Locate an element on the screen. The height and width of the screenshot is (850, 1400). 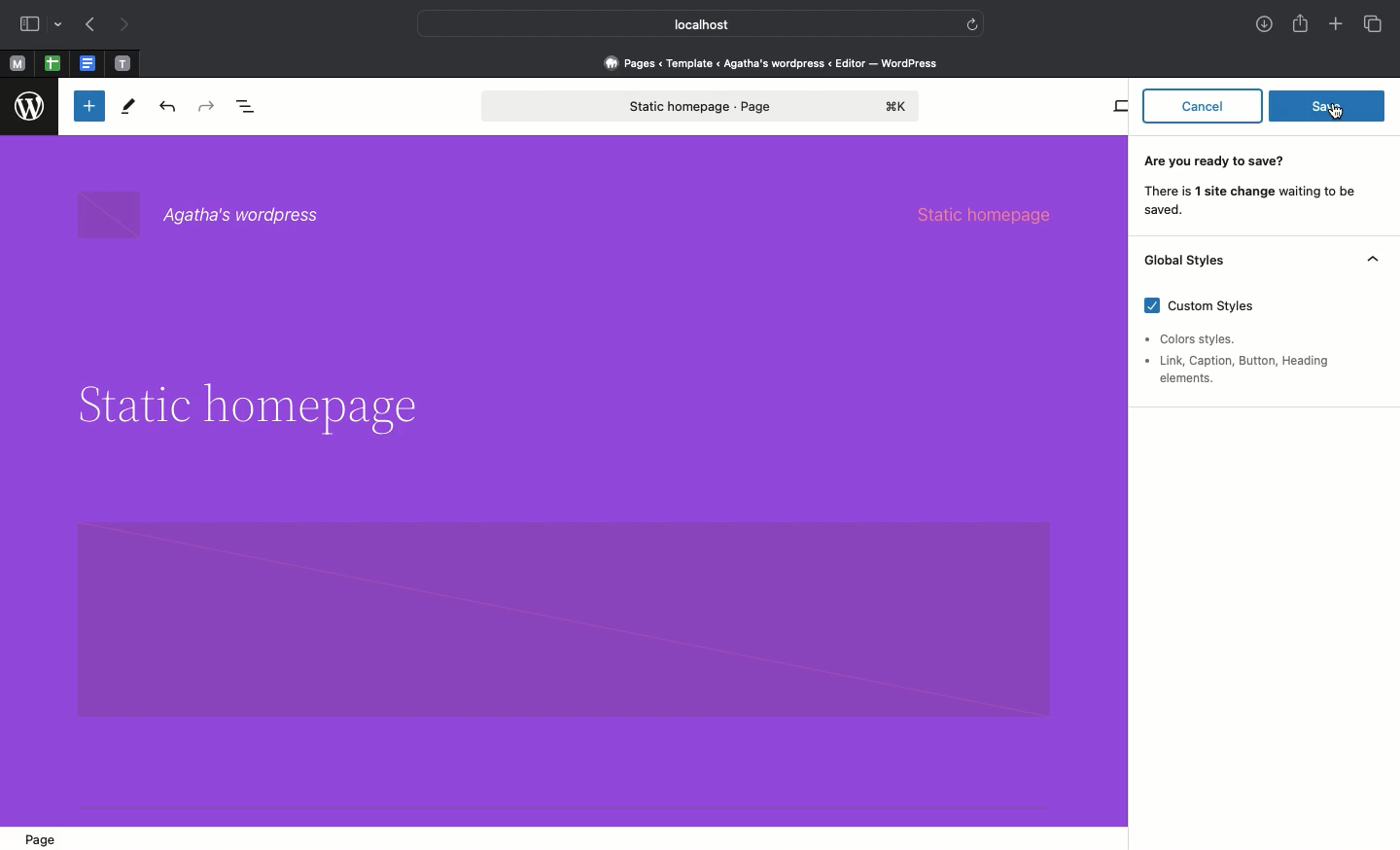
Pinned tab is located at coordinates (17, 64).